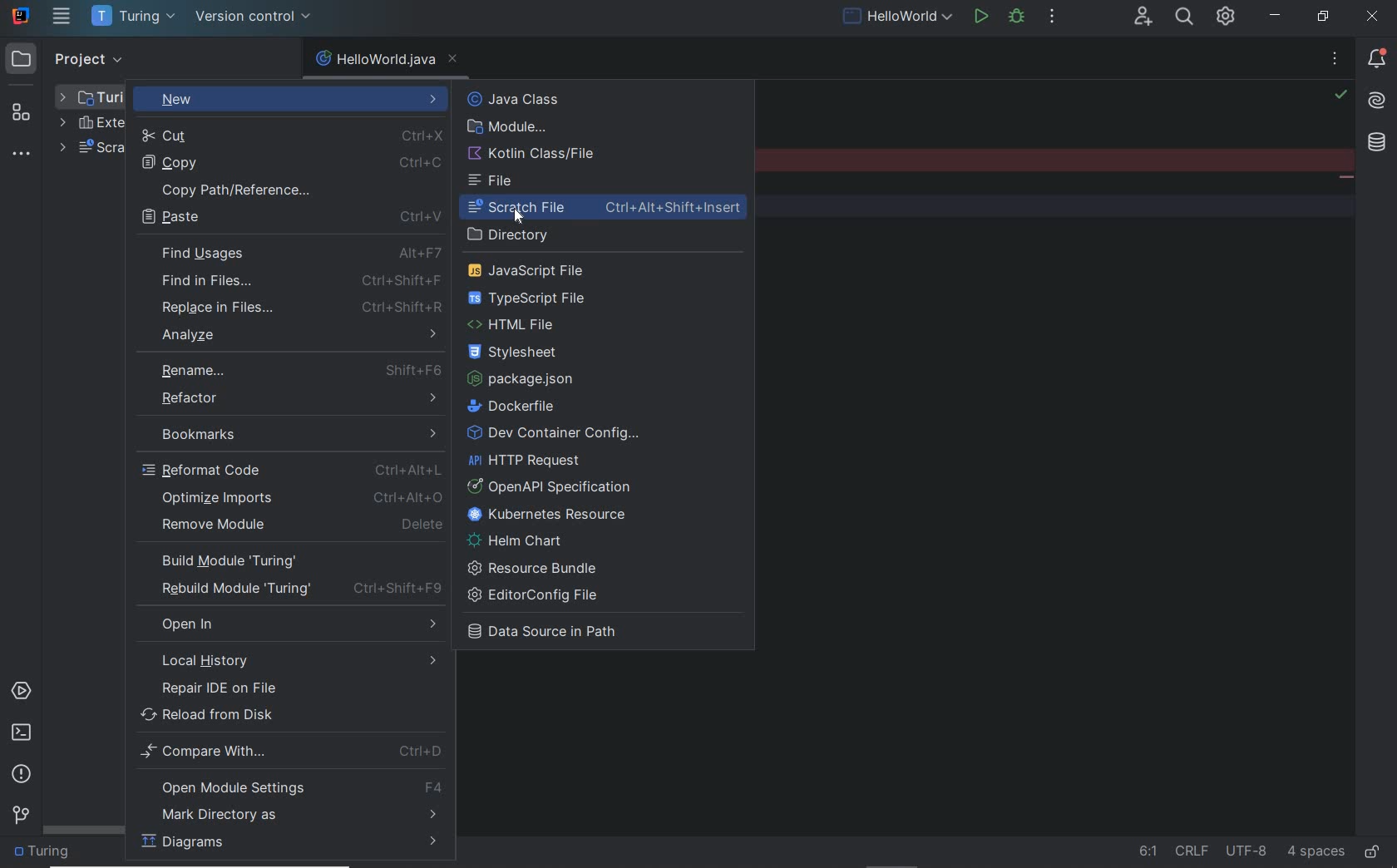  What do you see at coordinates (293, 469) in the screenshot?
I see `reformat code` at bounding box center [293, 469].